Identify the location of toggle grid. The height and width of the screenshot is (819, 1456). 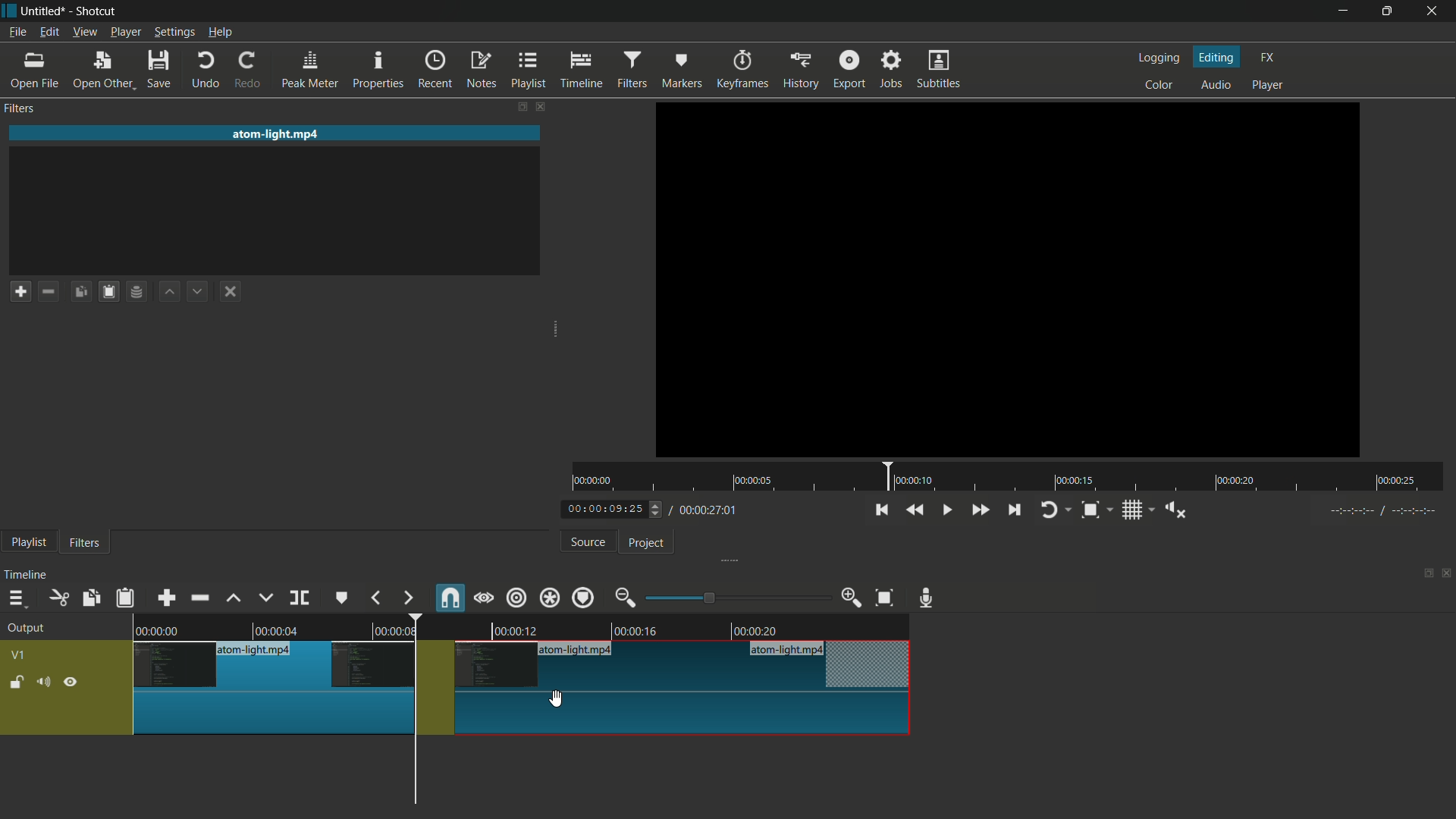
(1137, 510).